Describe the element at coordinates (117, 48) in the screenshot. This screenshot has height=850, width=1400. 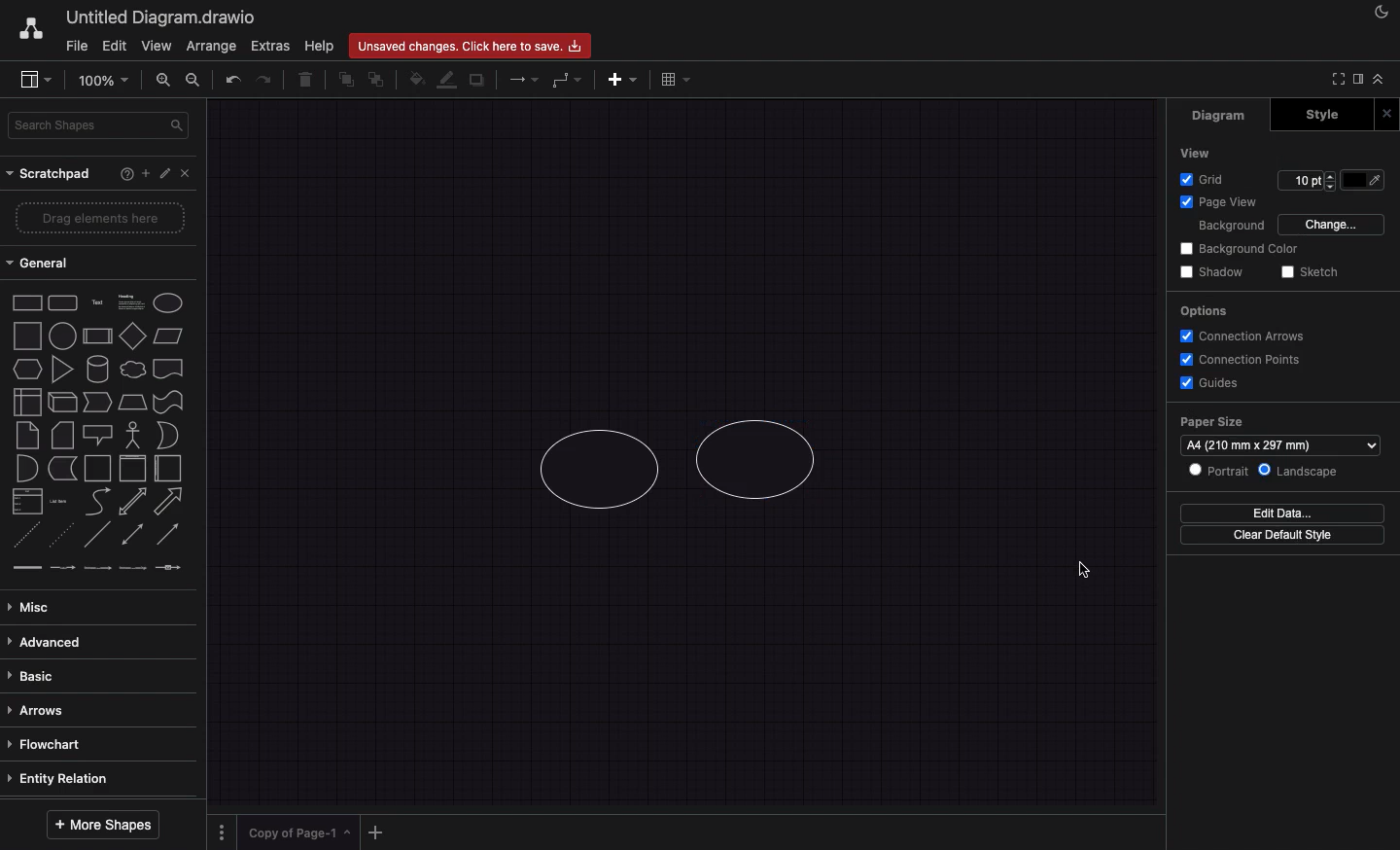
I see `edit` at that location.